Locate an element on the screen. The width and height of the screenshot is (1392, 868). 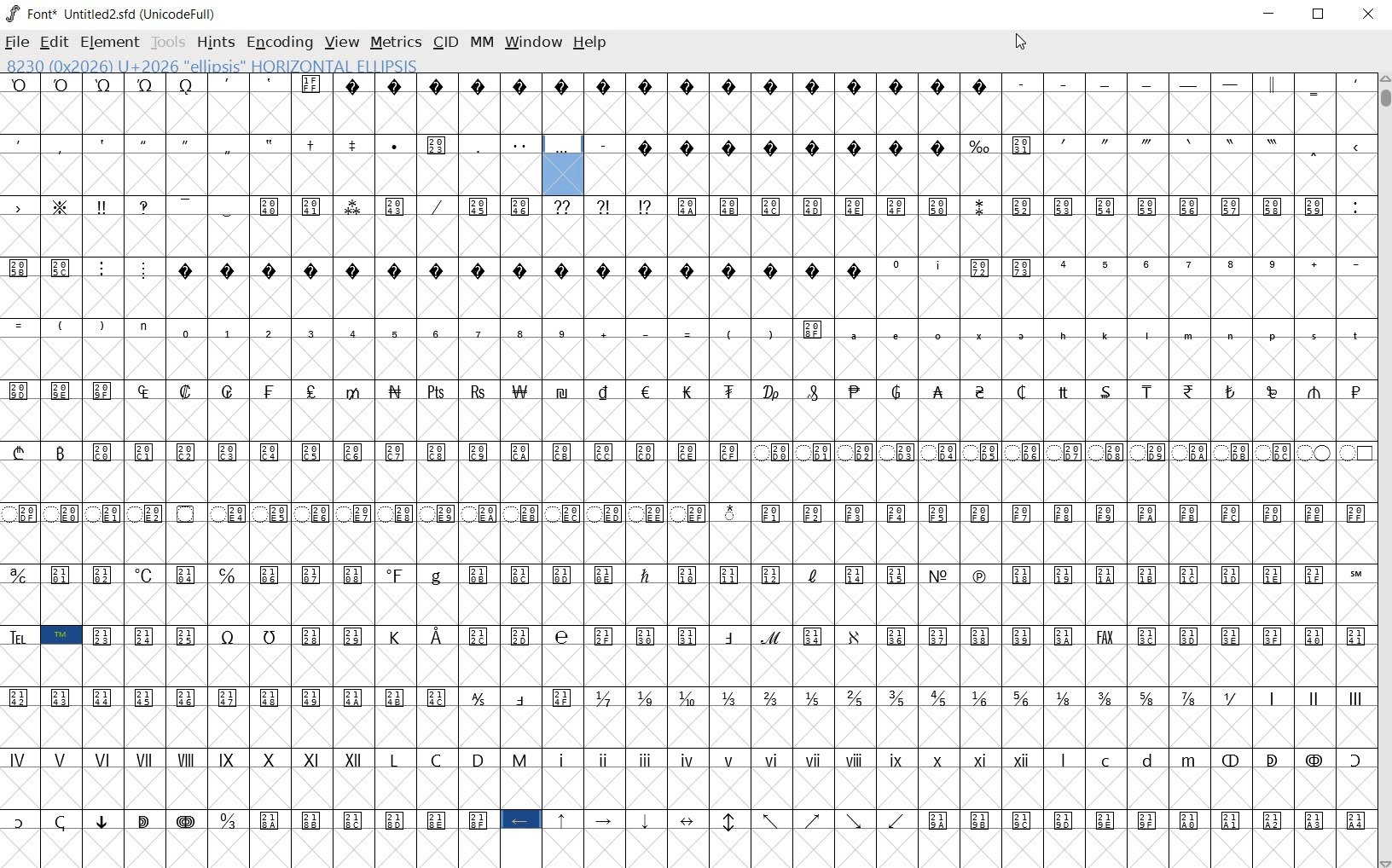
HELP is located at coordinates (590, 43).